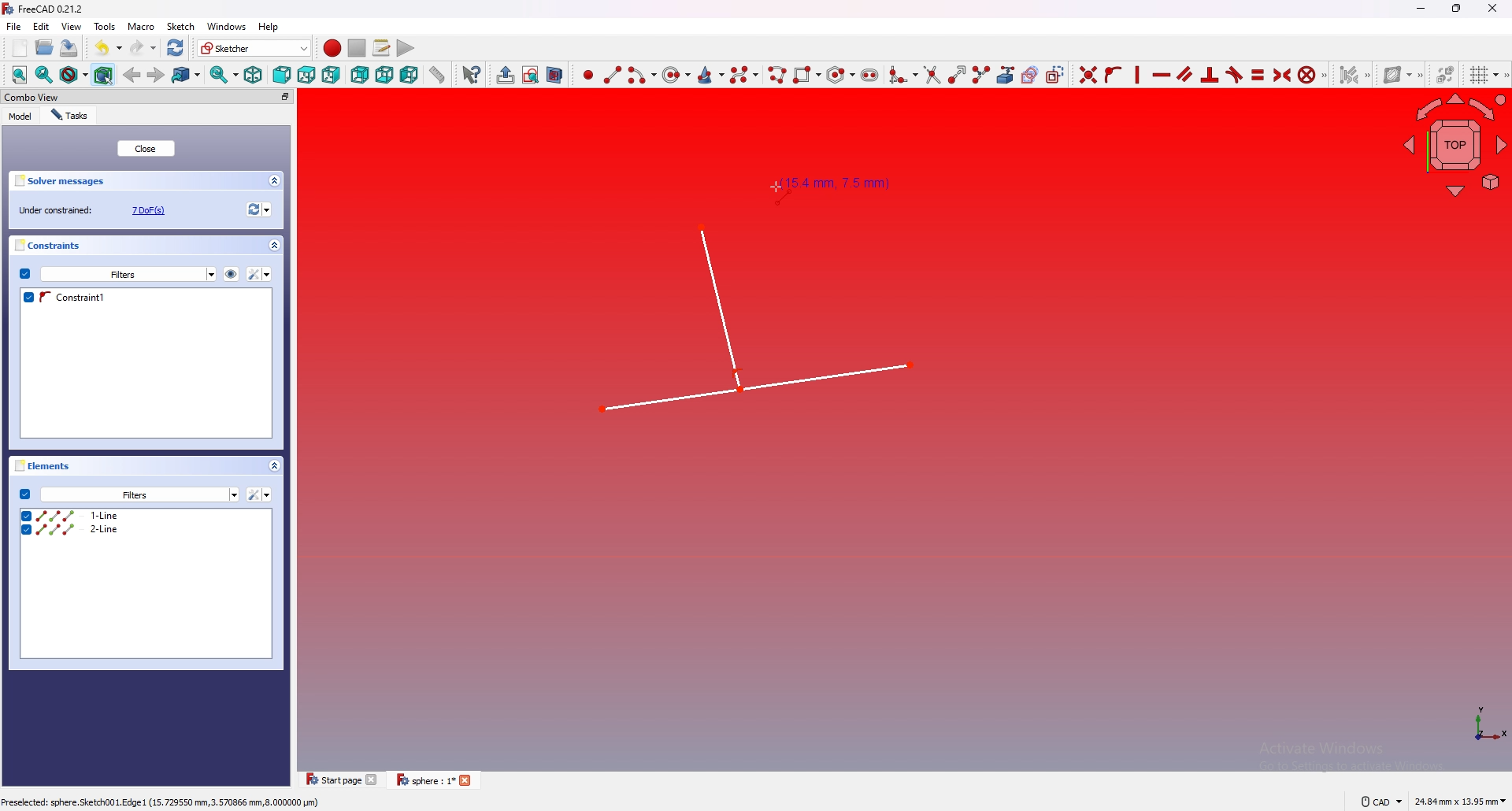 The height and width of the screenshot is (811, 1512). I want to click on Undo, so click(102, 46).